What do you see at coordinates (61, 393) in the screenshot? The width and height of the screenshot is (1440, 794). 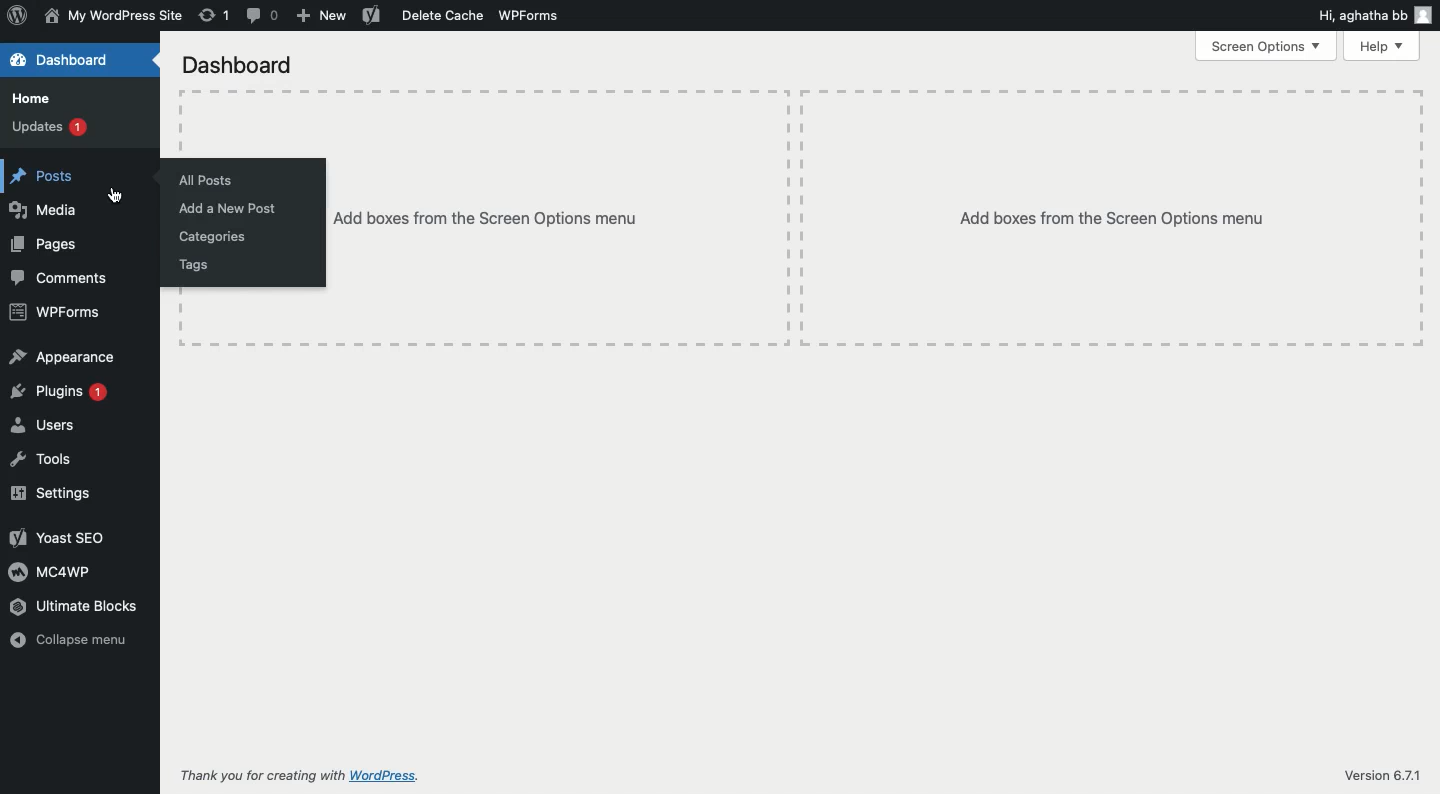 I see `Plugins` at bounding box center [61, 393].